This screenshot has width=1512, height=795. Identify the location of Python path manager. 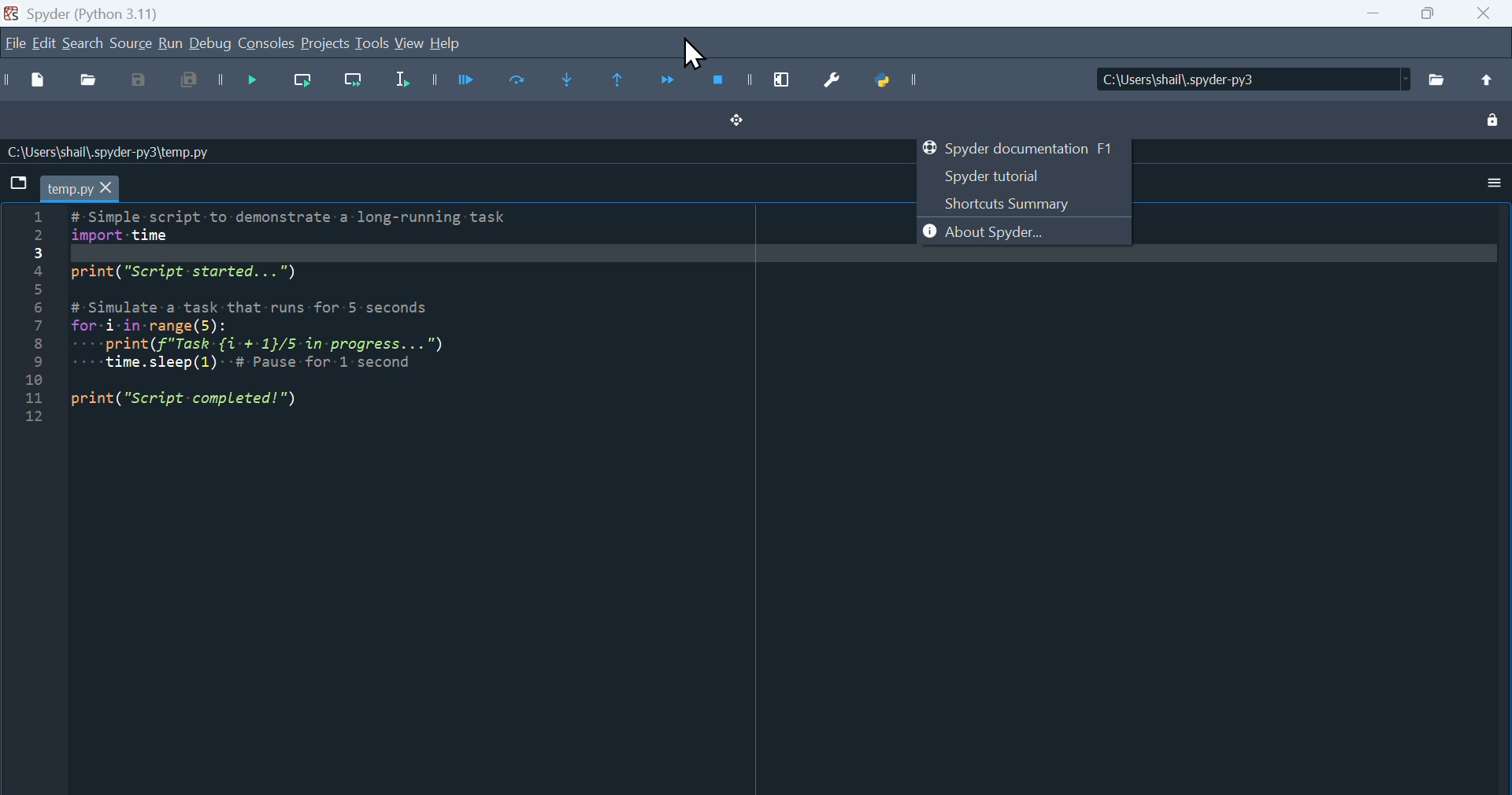
(898, 76).